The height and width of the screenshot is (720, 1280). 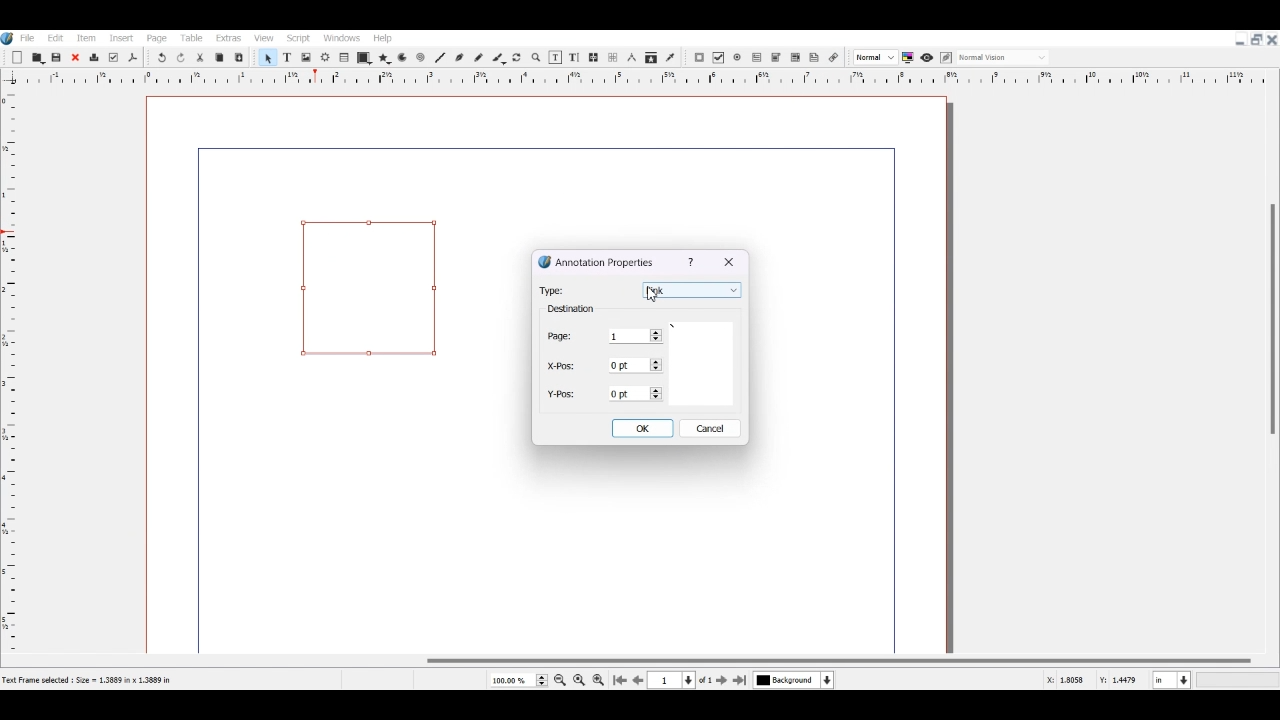 What do you see at coordinates (39, 57) in the screenshot?
I see `Open` at bounding box center [39, 57].